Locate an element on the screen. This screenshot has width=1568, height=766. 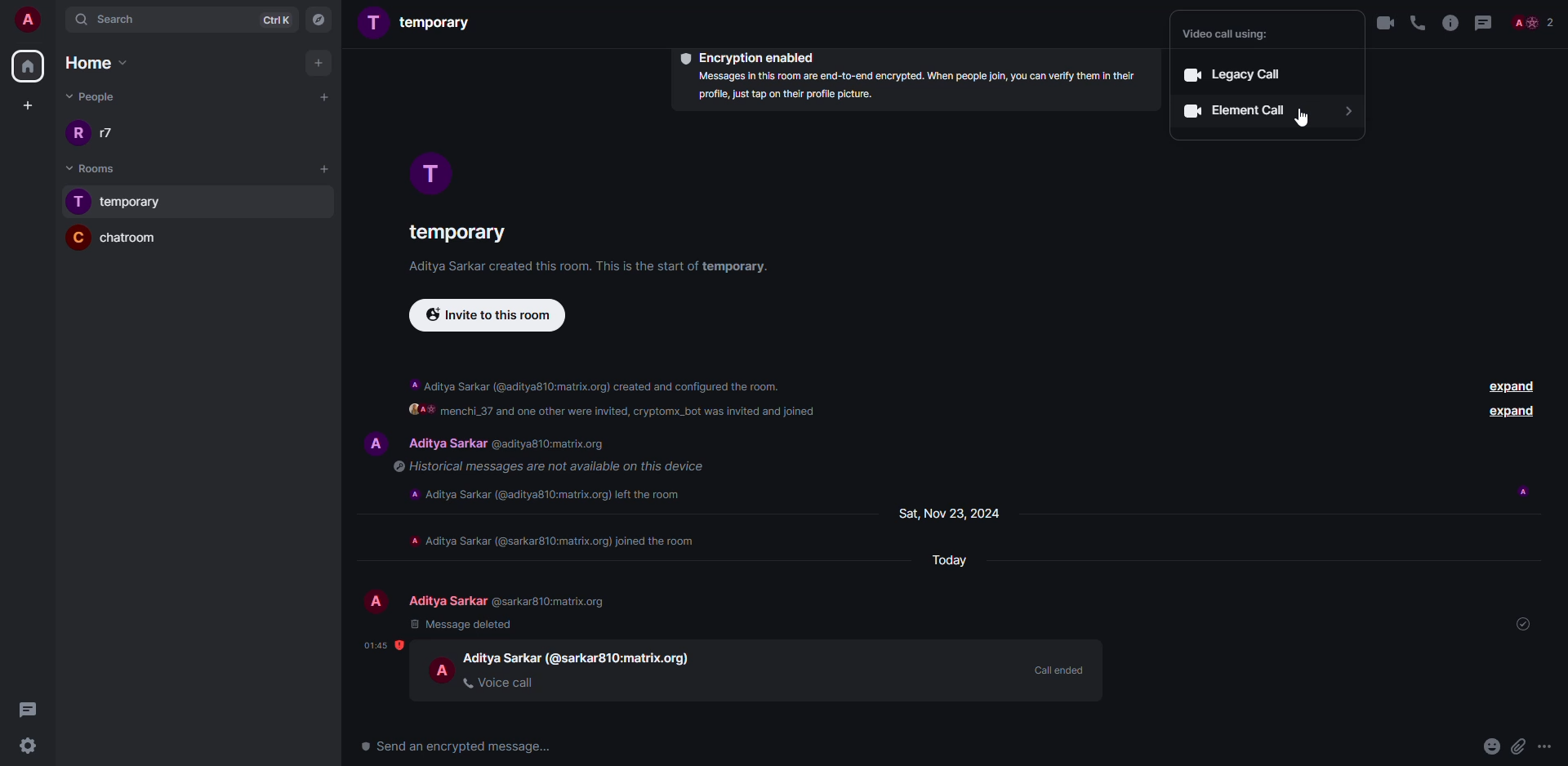
create space is located at coordinates (24, 105).